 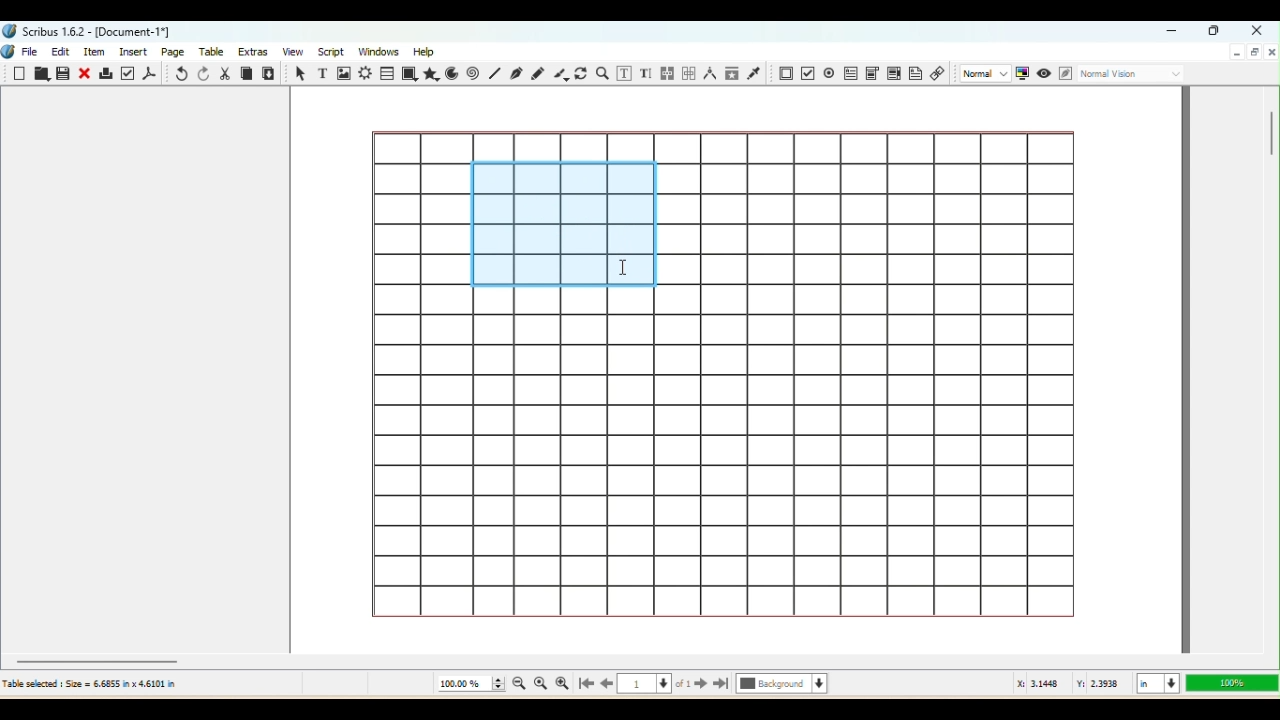 I want to click on Save, so click(x=65, y=75).